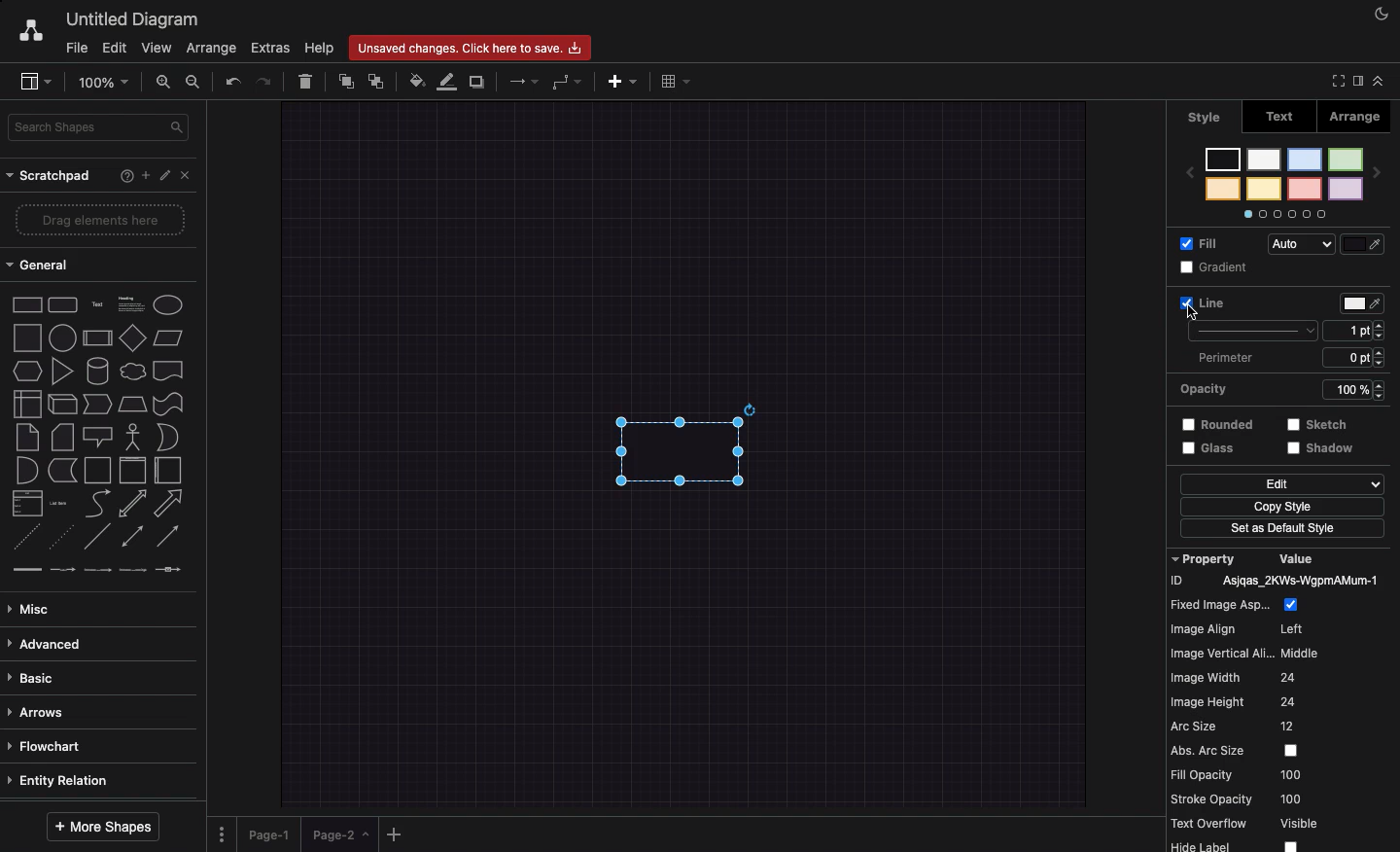 Image resolution: width=1400 pixels, height=852 pixels. I want to click on shadow, so click(1323, 449).